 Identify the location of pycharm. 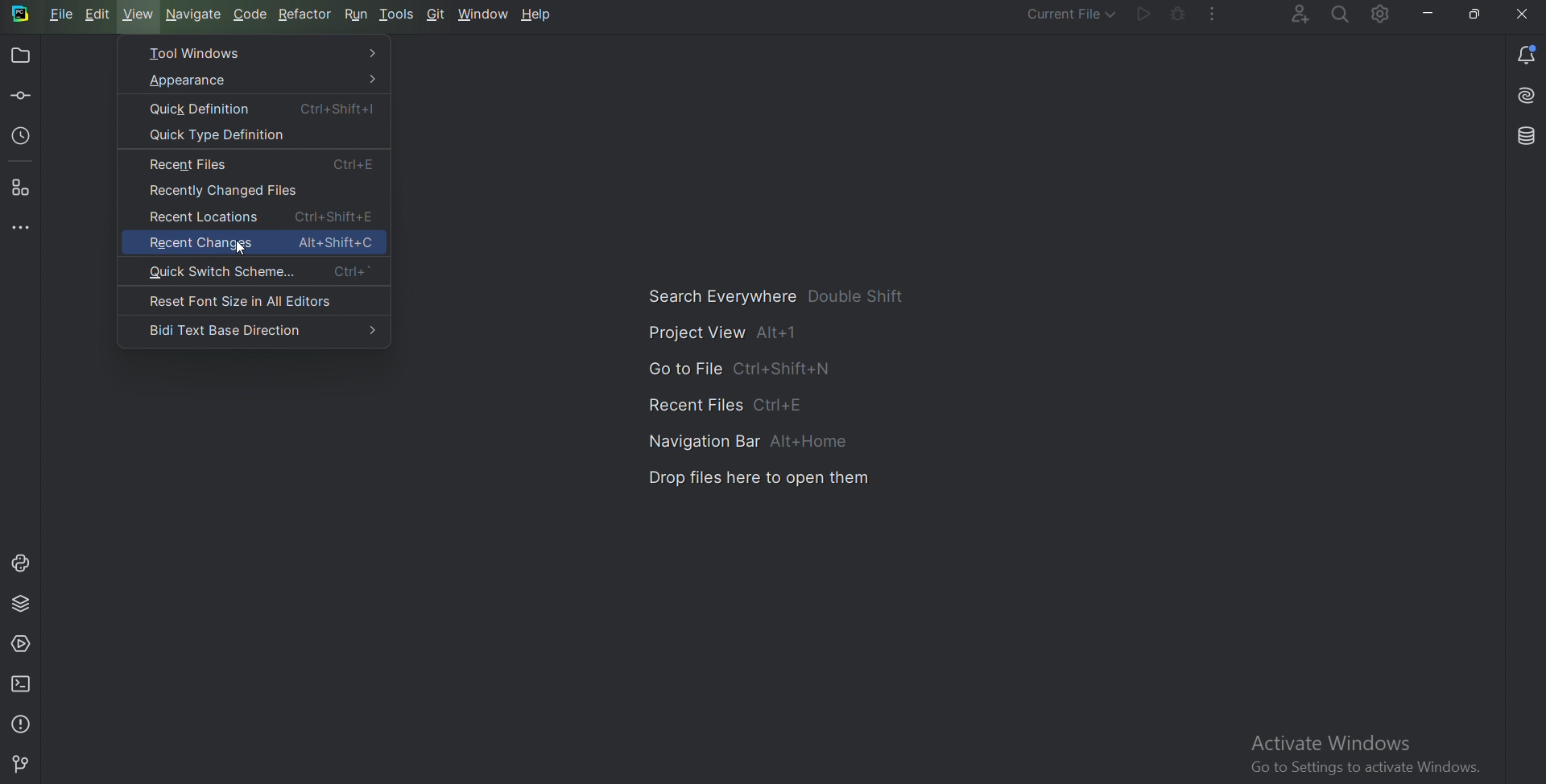
(23, 14).